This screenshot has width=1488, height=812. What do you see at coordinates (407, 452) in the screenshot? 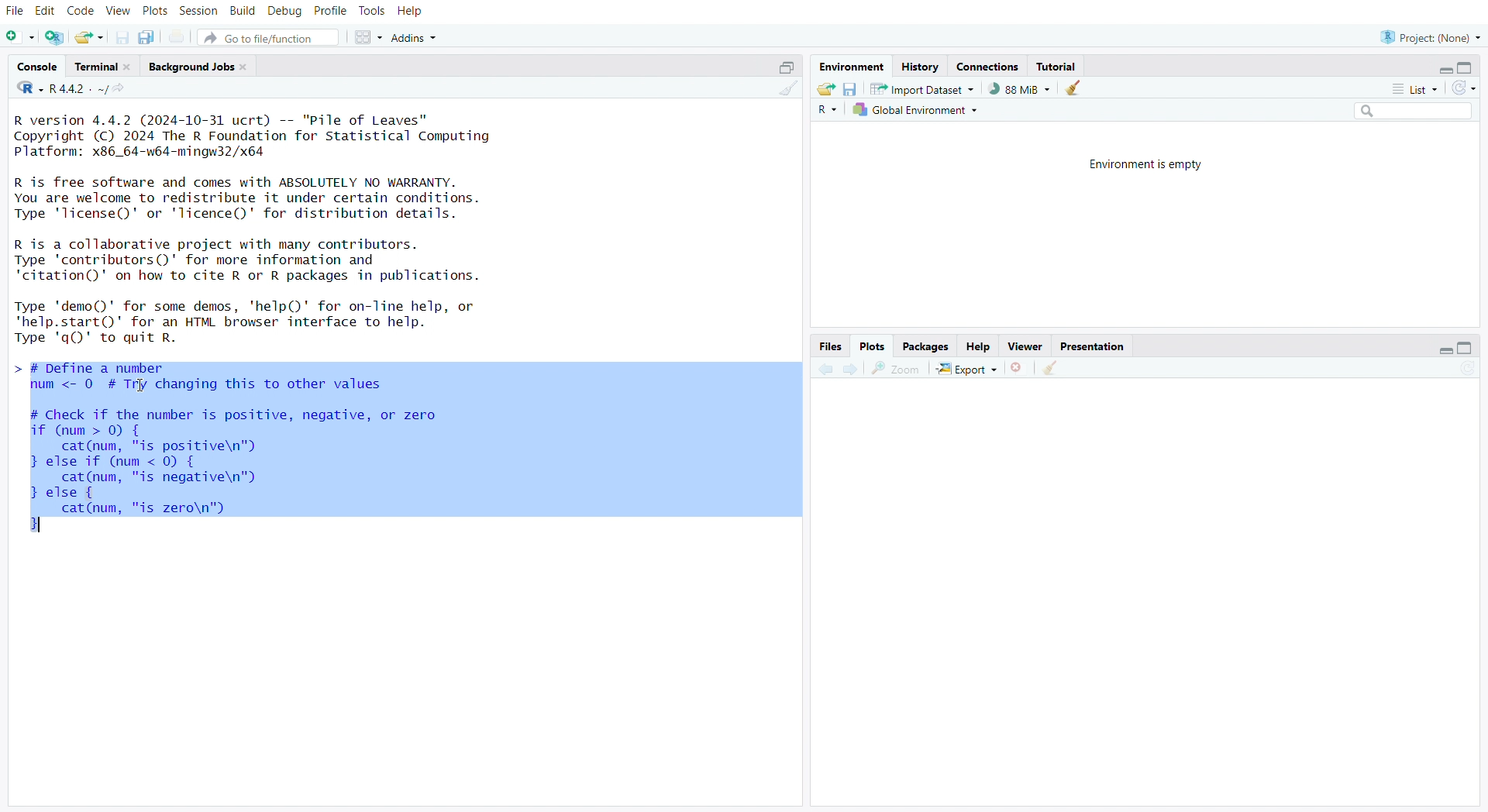
I see `> # Define a numbernum <- 0 # Try changing this to other values# Check if the number is positive, negative, or zeroif (num > 0) {cat(num, "is positive\n")} else if (num < 0) {cat(num, "is negative\n")} else {| cat(num, "is zero\n")}` at bounding box center [407, 452].